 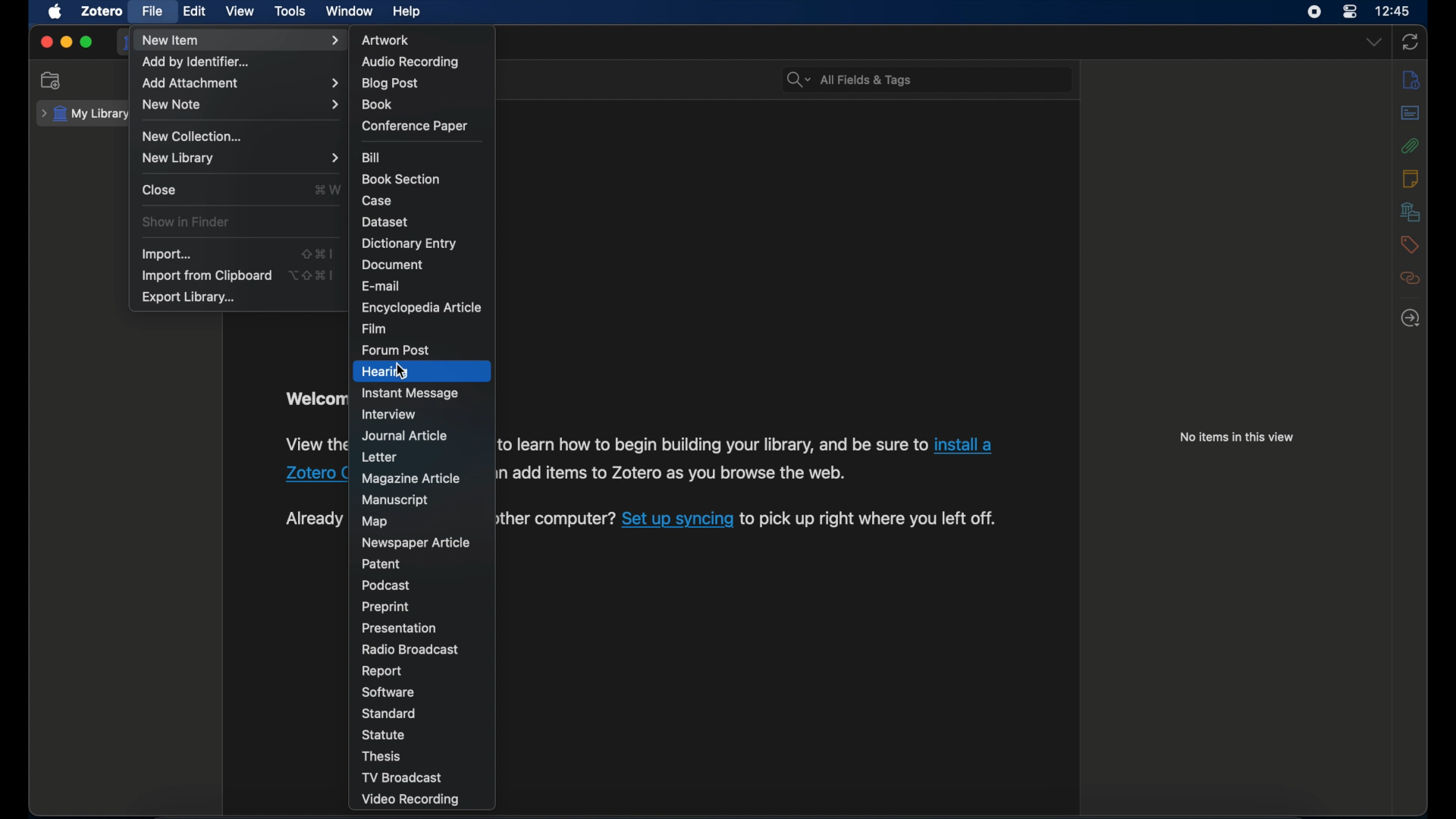 What do you see at coordinates (401, 373) in the screenshot?
I see `cursor` at bounding box center [401, 373].